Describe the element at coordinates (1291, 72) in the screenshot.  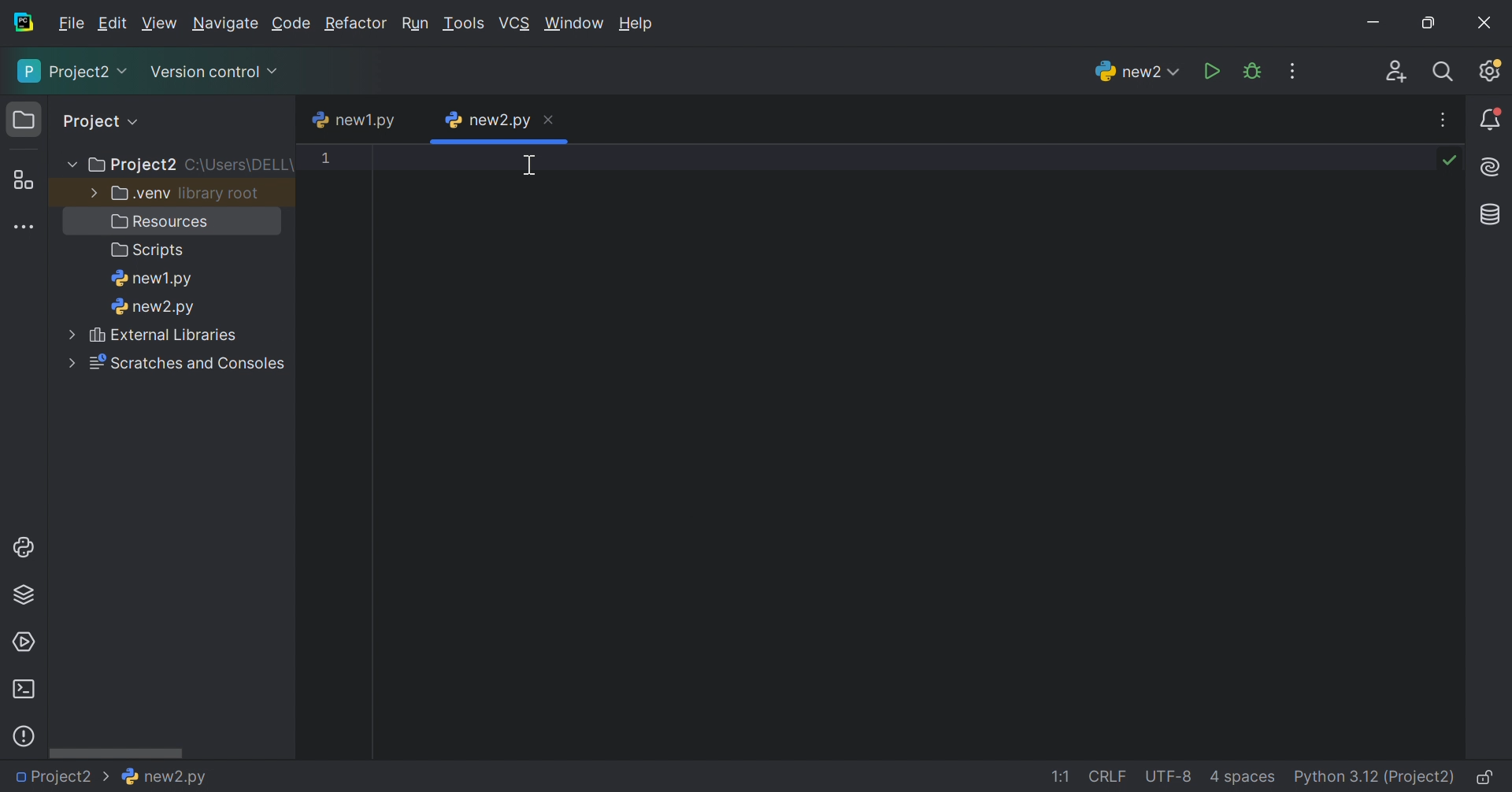
I see `More actions` at that location.